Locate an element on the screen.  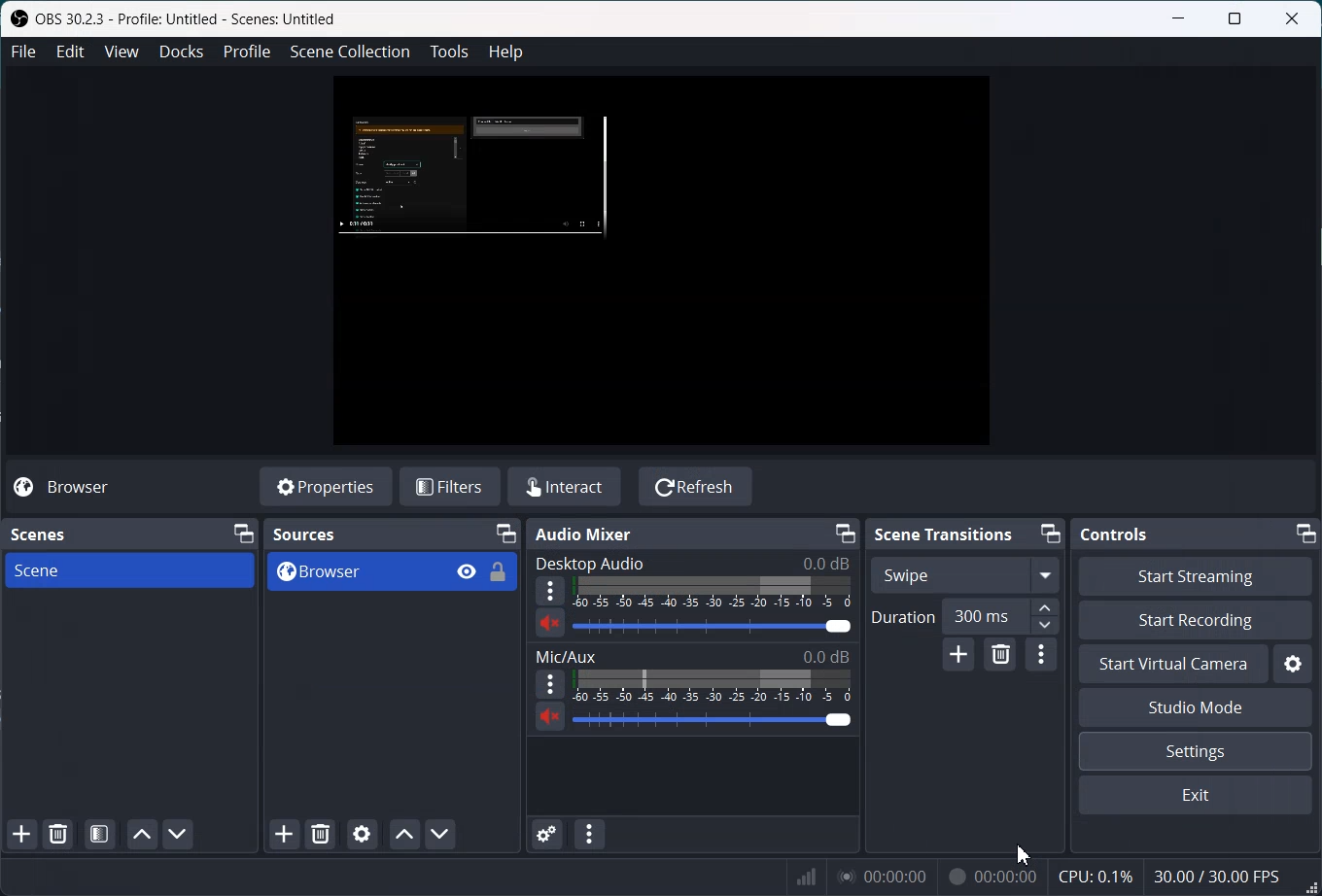
Volume Adjuster is located at coordinates (713, 626).